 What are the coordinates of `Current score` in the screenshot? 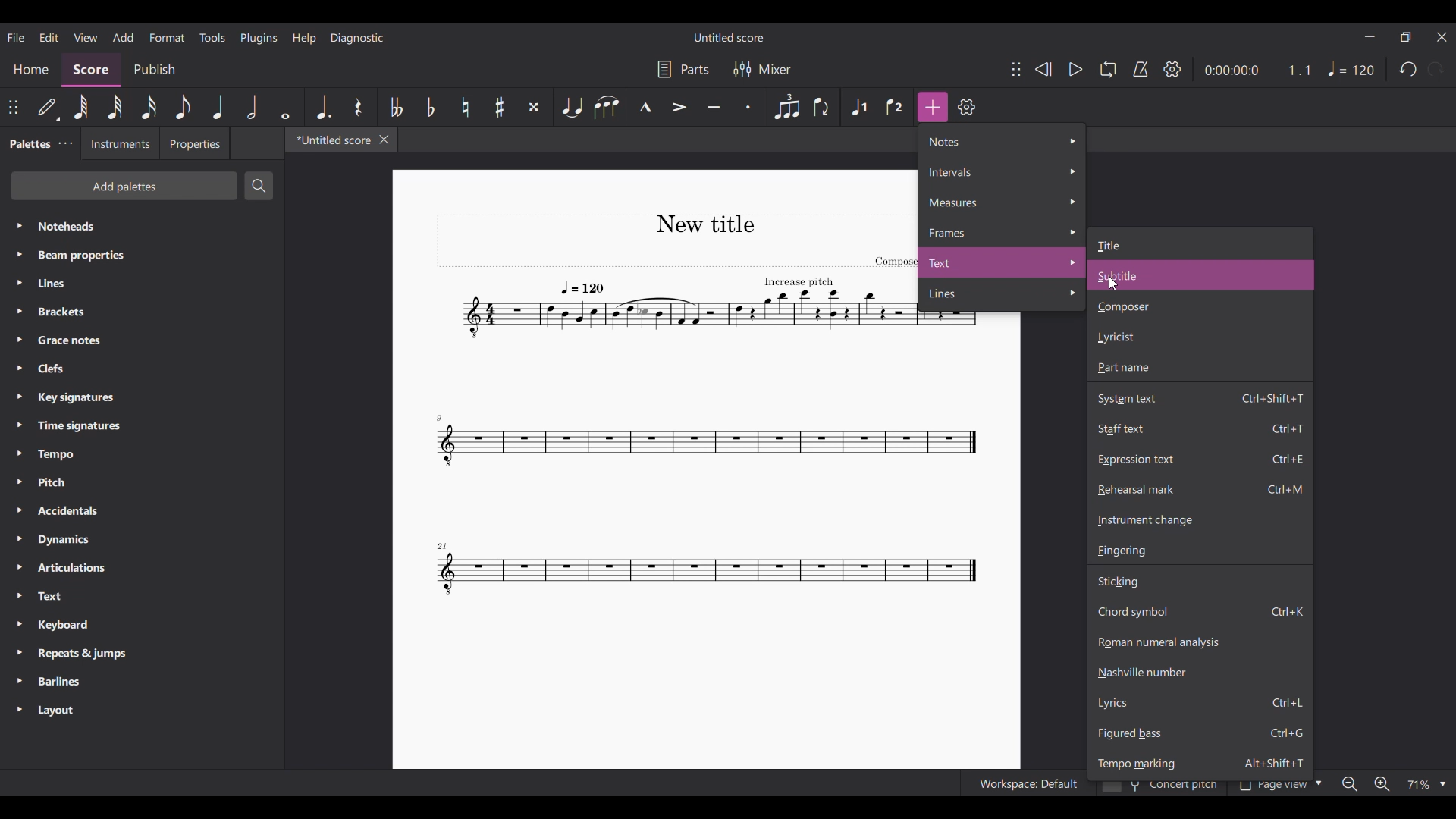 It's located at (673, 412).